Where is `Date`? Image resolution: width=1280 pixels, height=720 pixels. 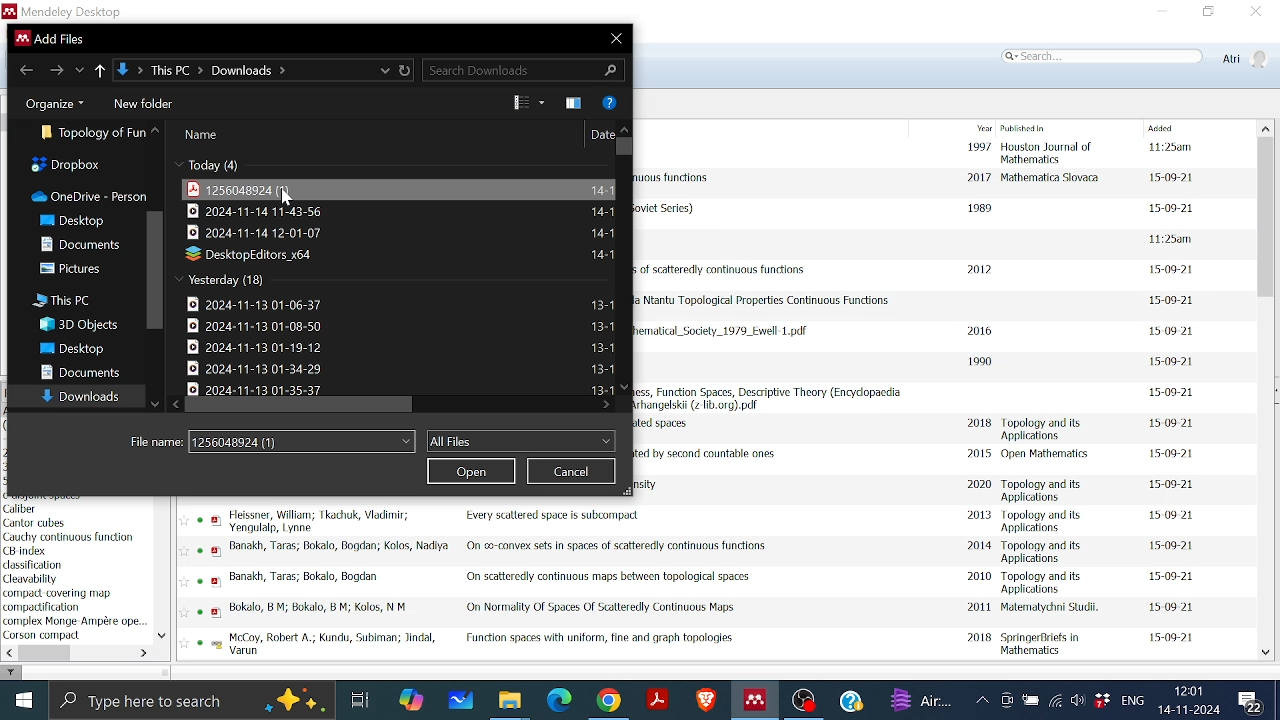 Date is located at coordinates (600, 388).